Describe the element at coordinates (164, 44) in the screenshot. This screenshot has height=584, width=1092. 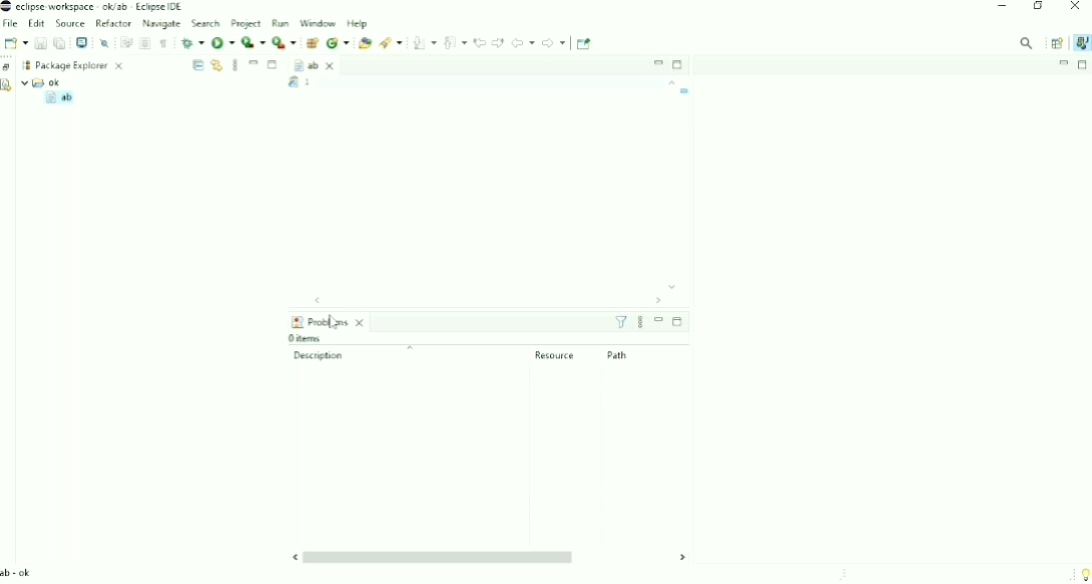
I see `Show Whitespace Characters` at that location.